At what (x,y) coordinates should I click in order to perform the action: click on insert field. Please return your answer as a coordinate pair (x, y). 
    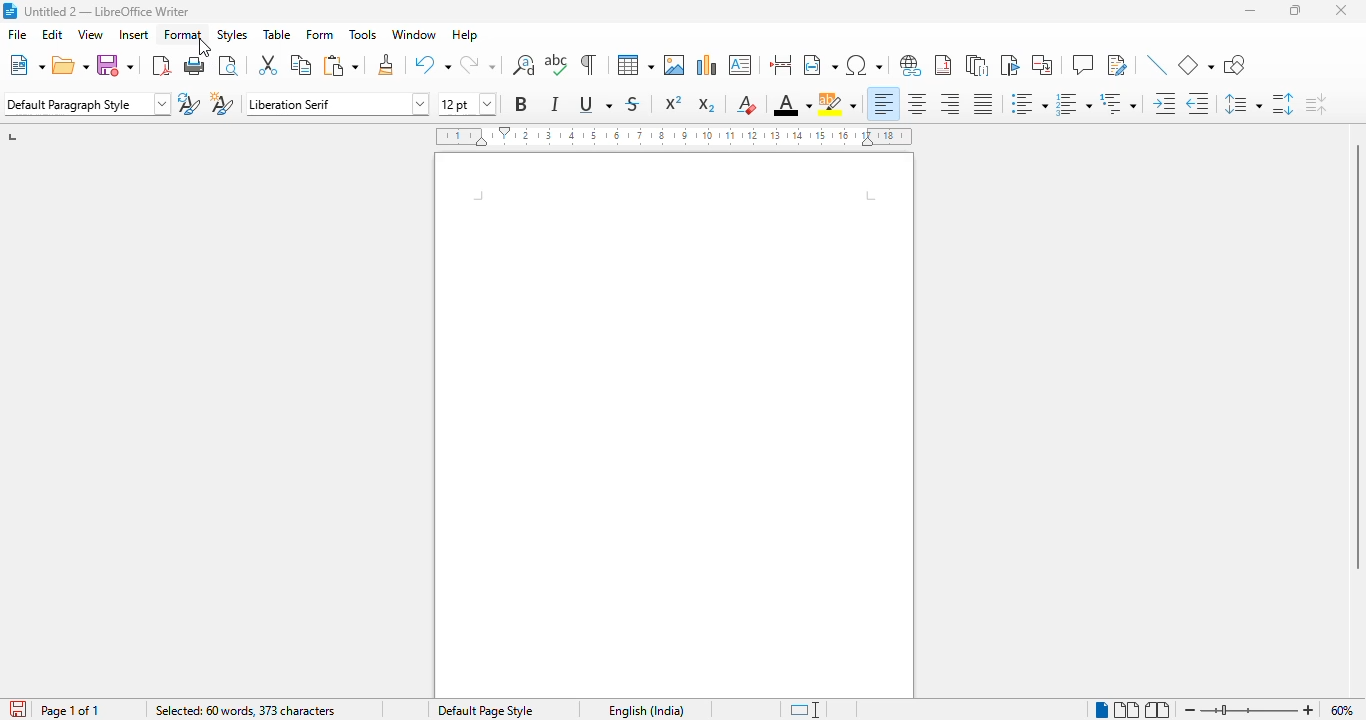
    Looking at the image, I should click on (820, 65).